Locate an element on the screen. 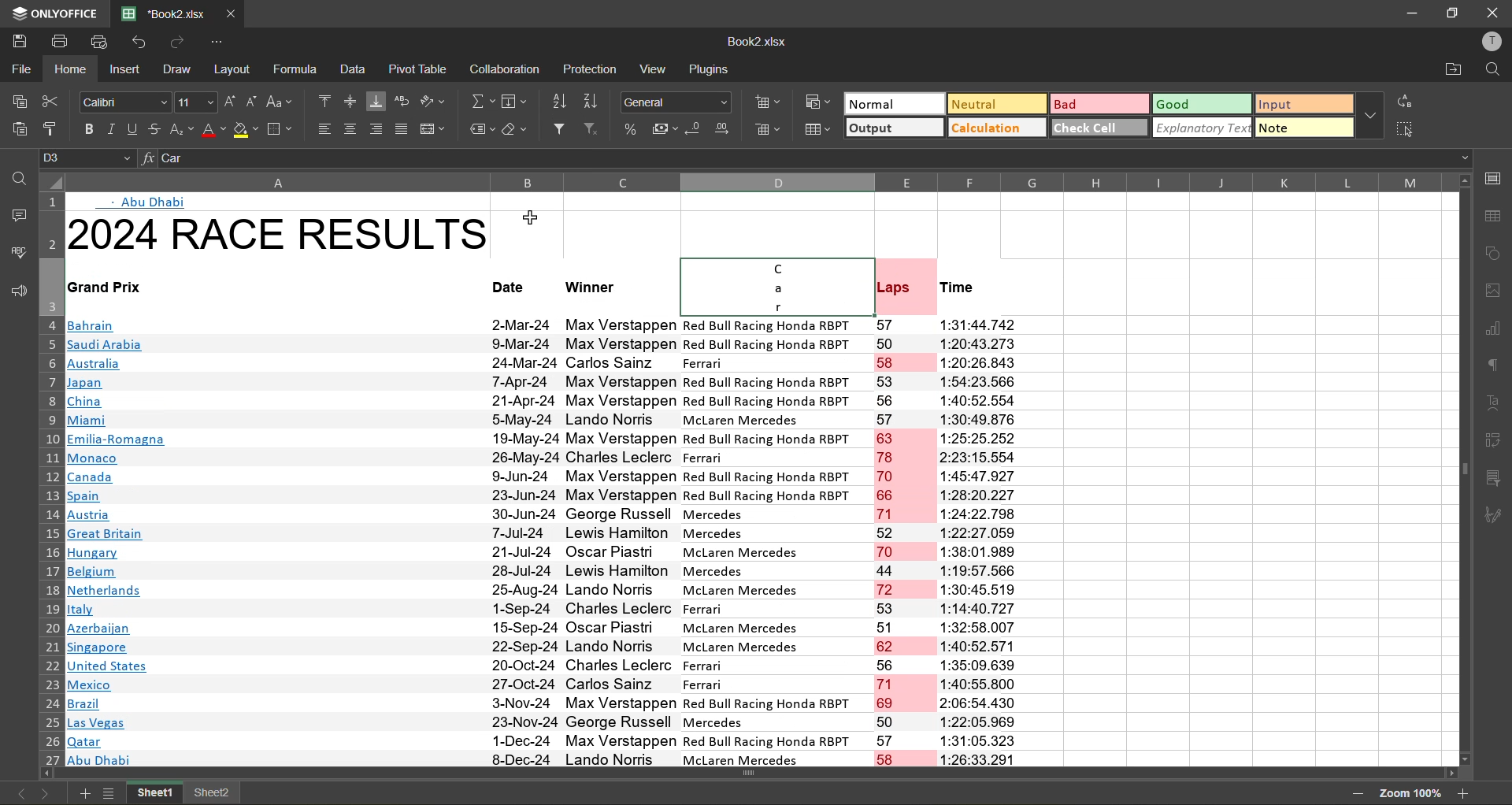 Image resolution: width=1512 pixels, height=805 pixels. good is located at coordinates (1204, 103).